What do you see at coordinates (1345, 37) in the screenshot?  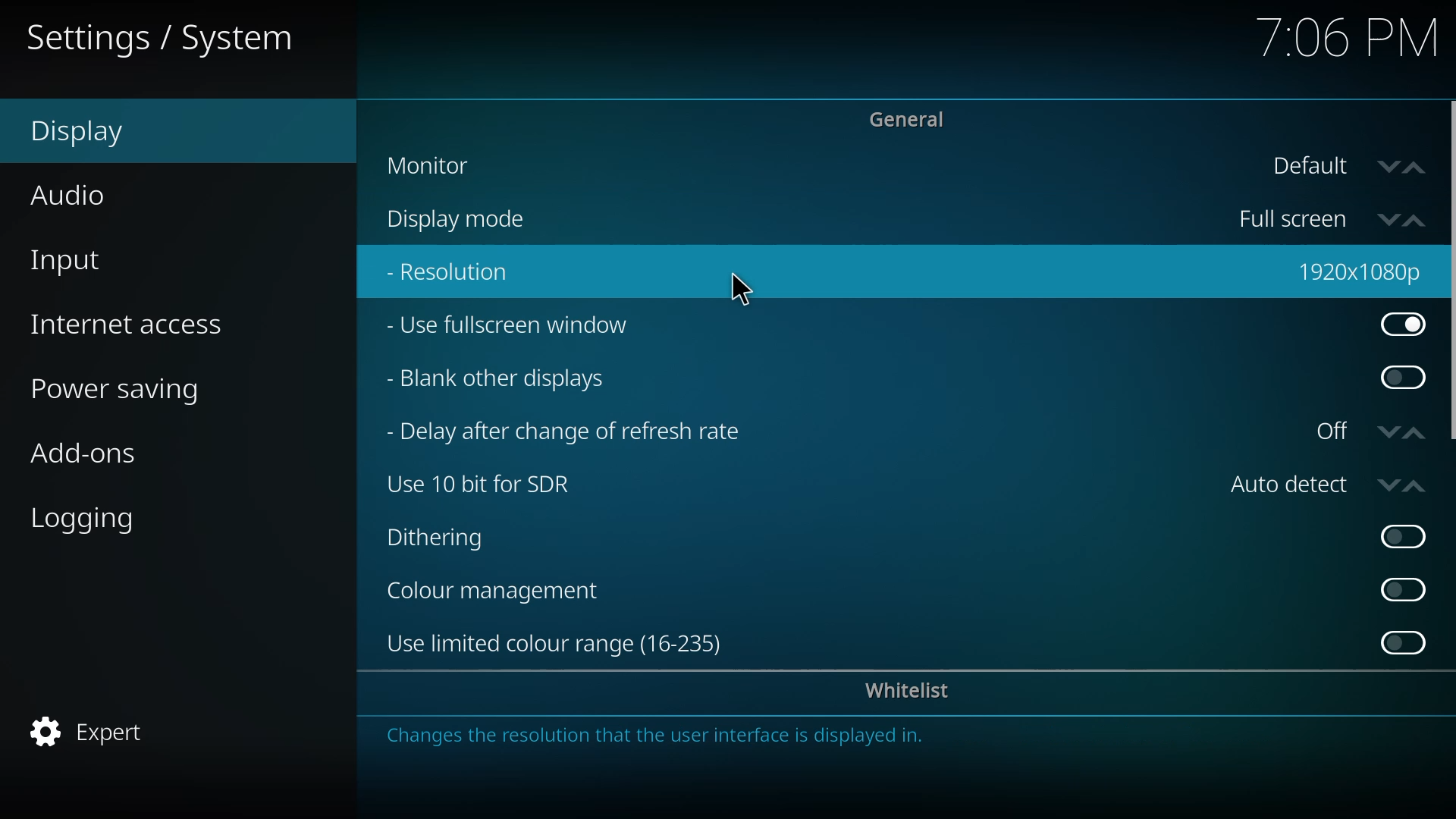 I see `time` at bounding box center [1345, 37].